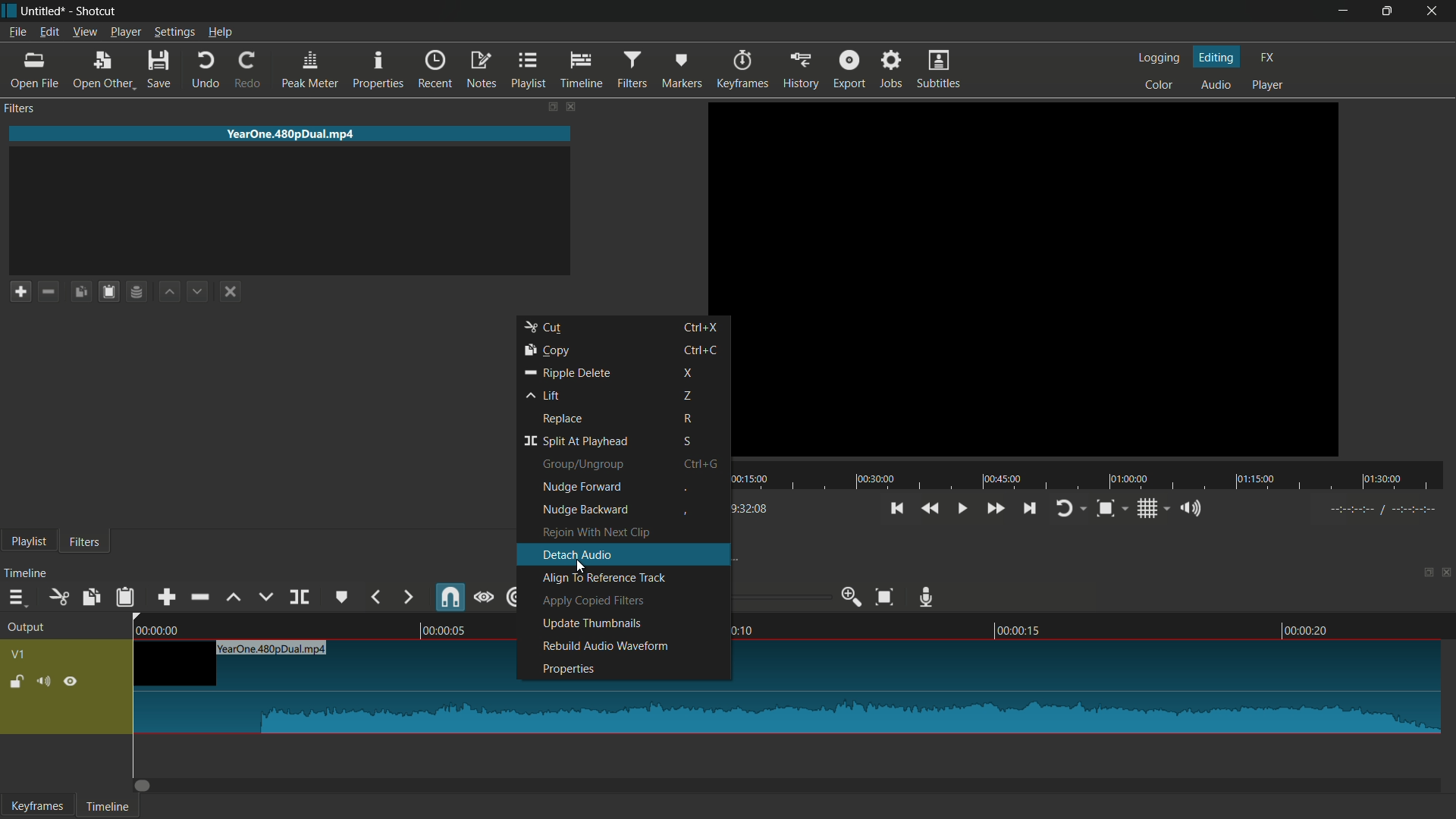 Image resolution: width=1456 pixels, height=819 pixels. What do you see at coordinates (1147, 508) in the screenshot?
I see `toggle grid` at bounding box center [1147, 508].